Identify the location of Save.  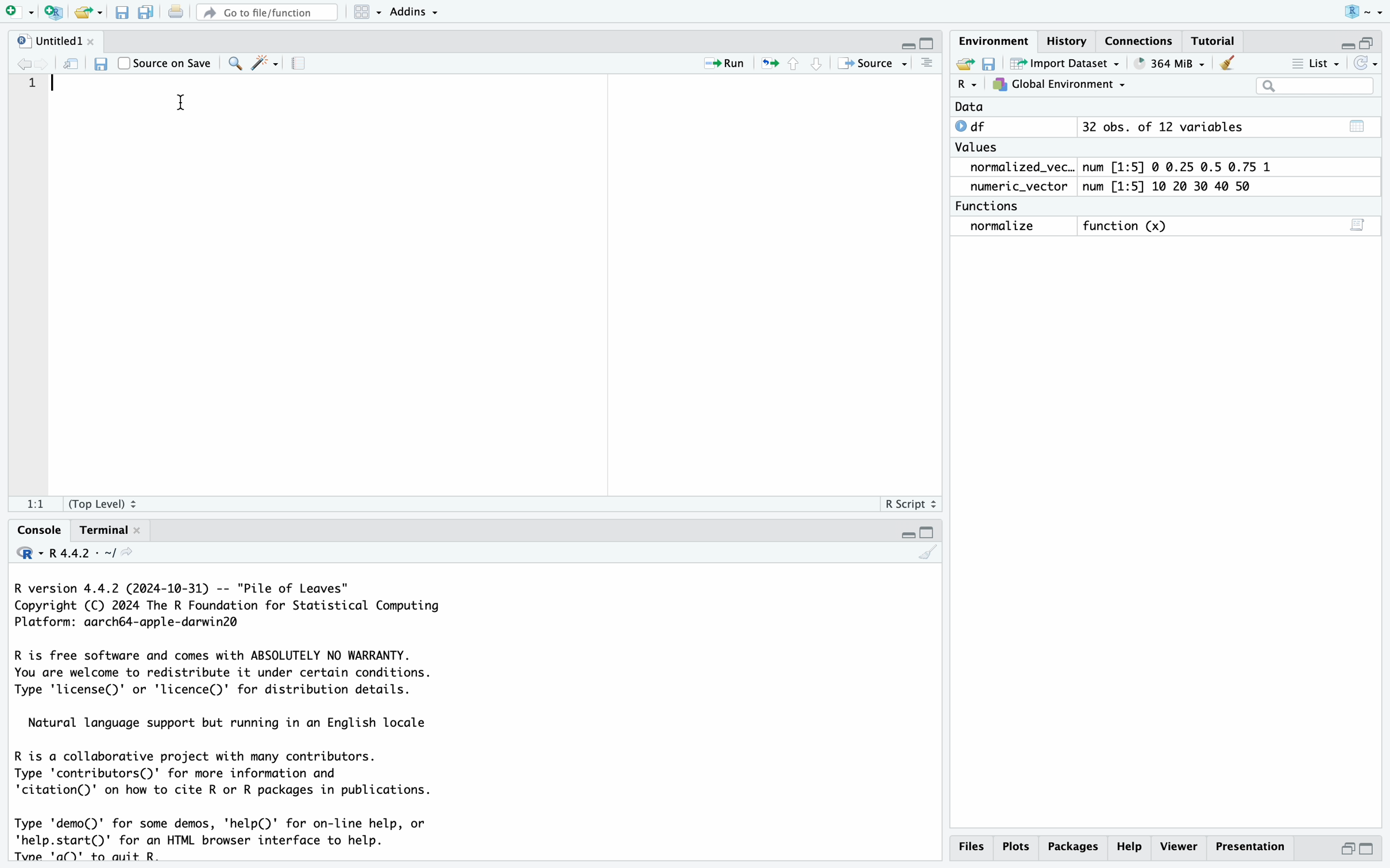
(990, 63).